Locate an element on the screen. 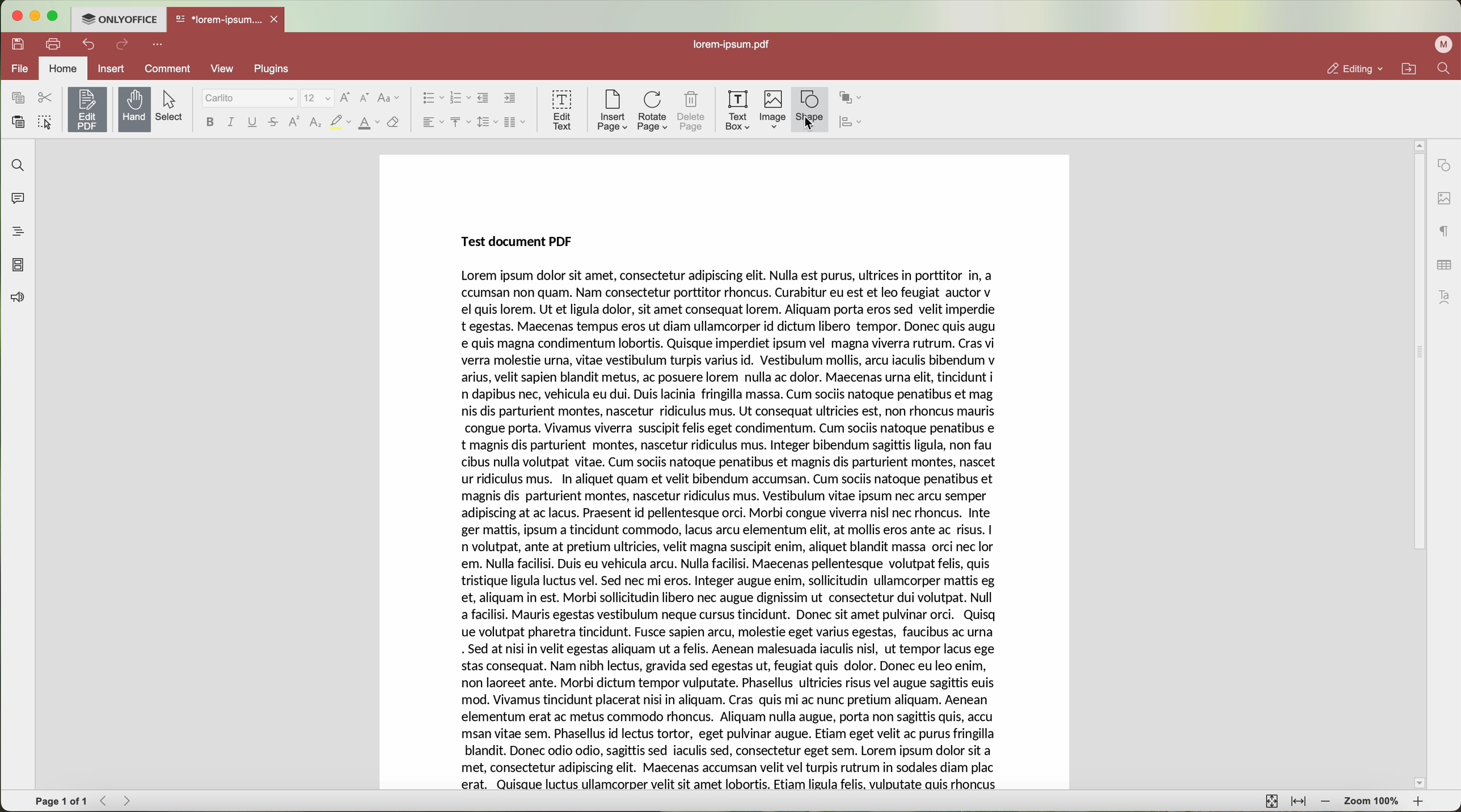 Image resolution: width=1461 pixels, height=812 pixels. zoom out is located at coordinates (1328, 803).